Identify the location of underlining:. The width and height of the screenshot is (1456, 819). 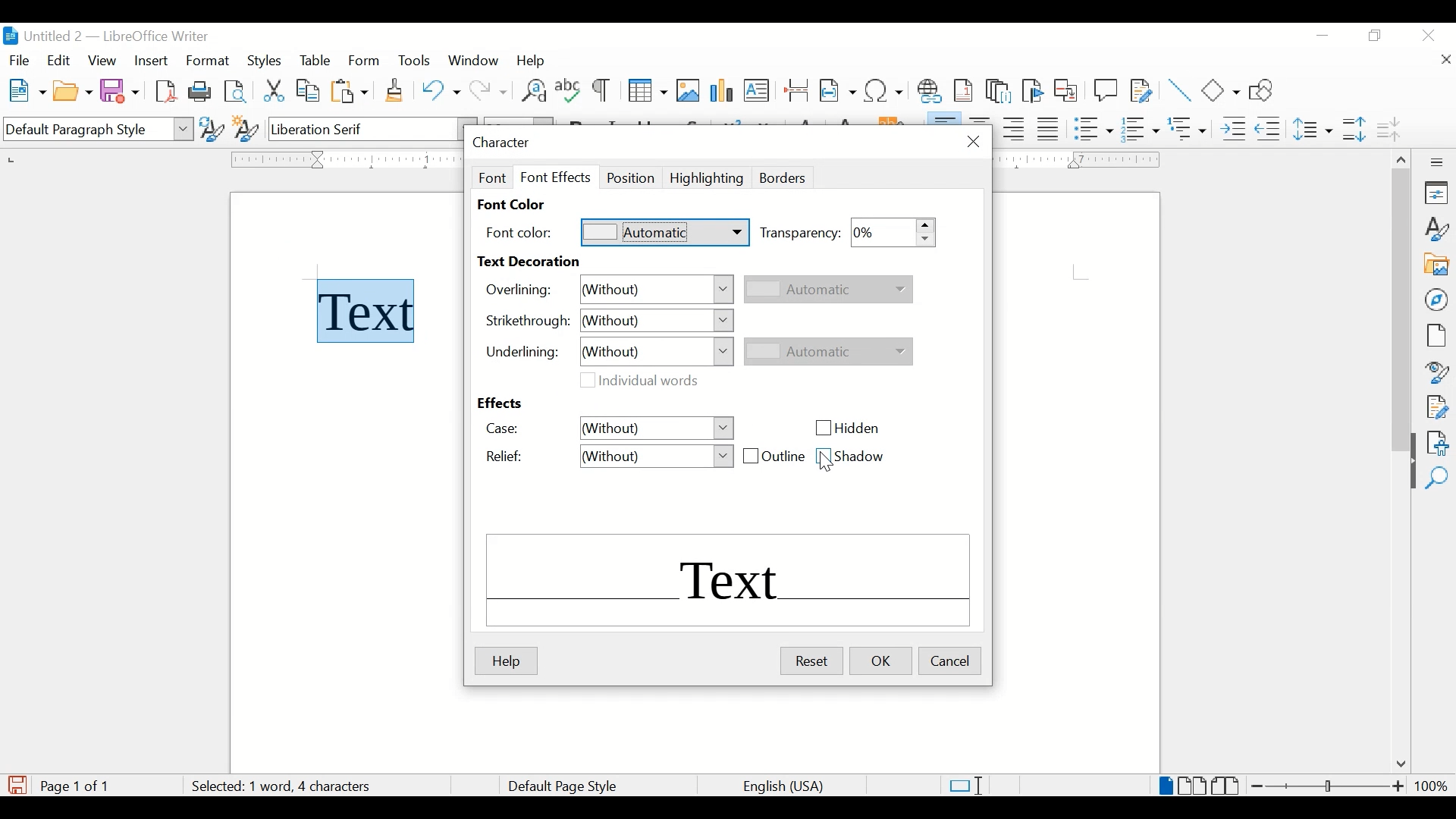
(521, 353).